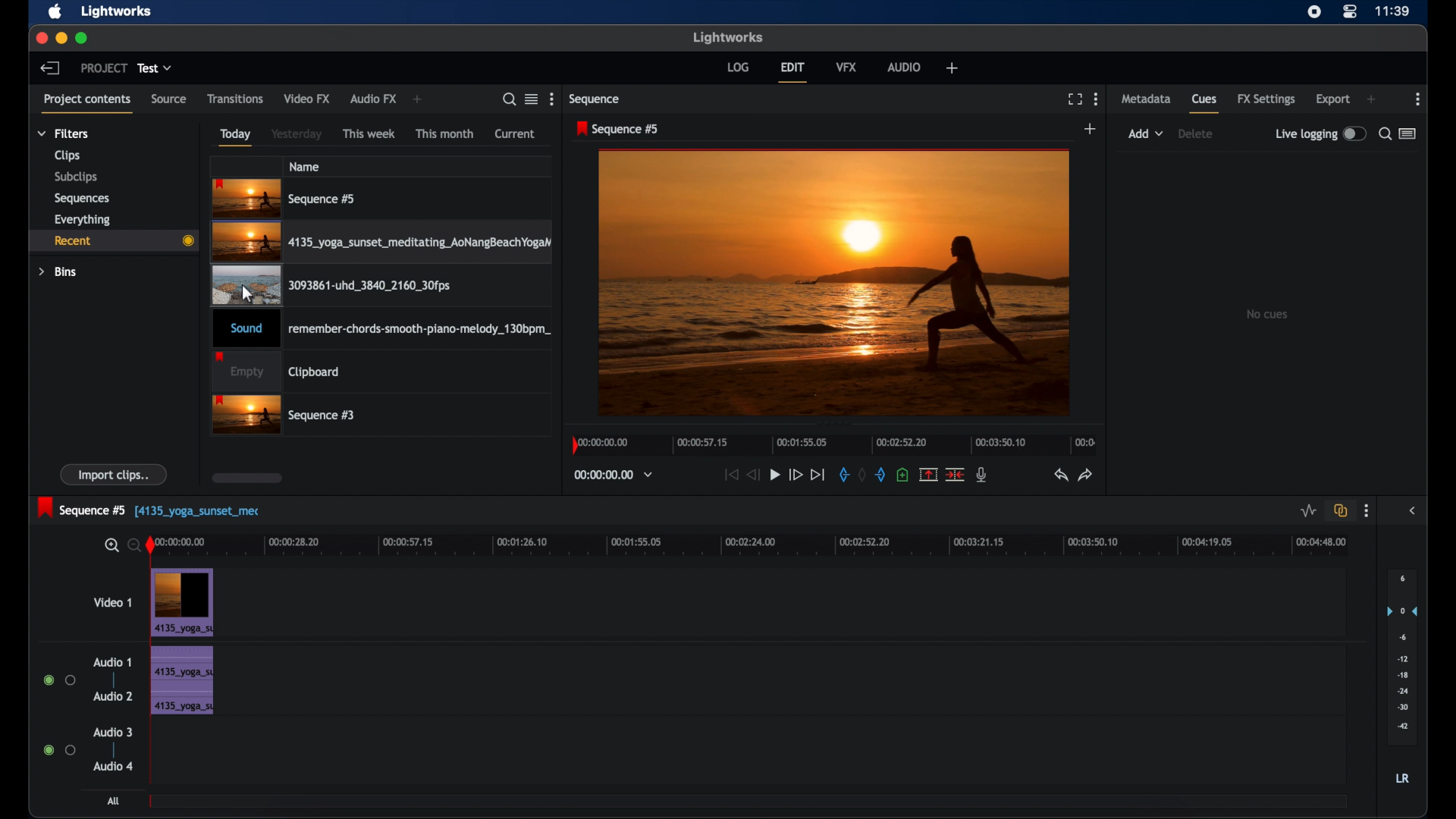 Image resolution: width=1456 pixels, height=819 pixels. Describe the element at coordinates (928, 475) in the screenshot. I see `remove  marked section` at that location.